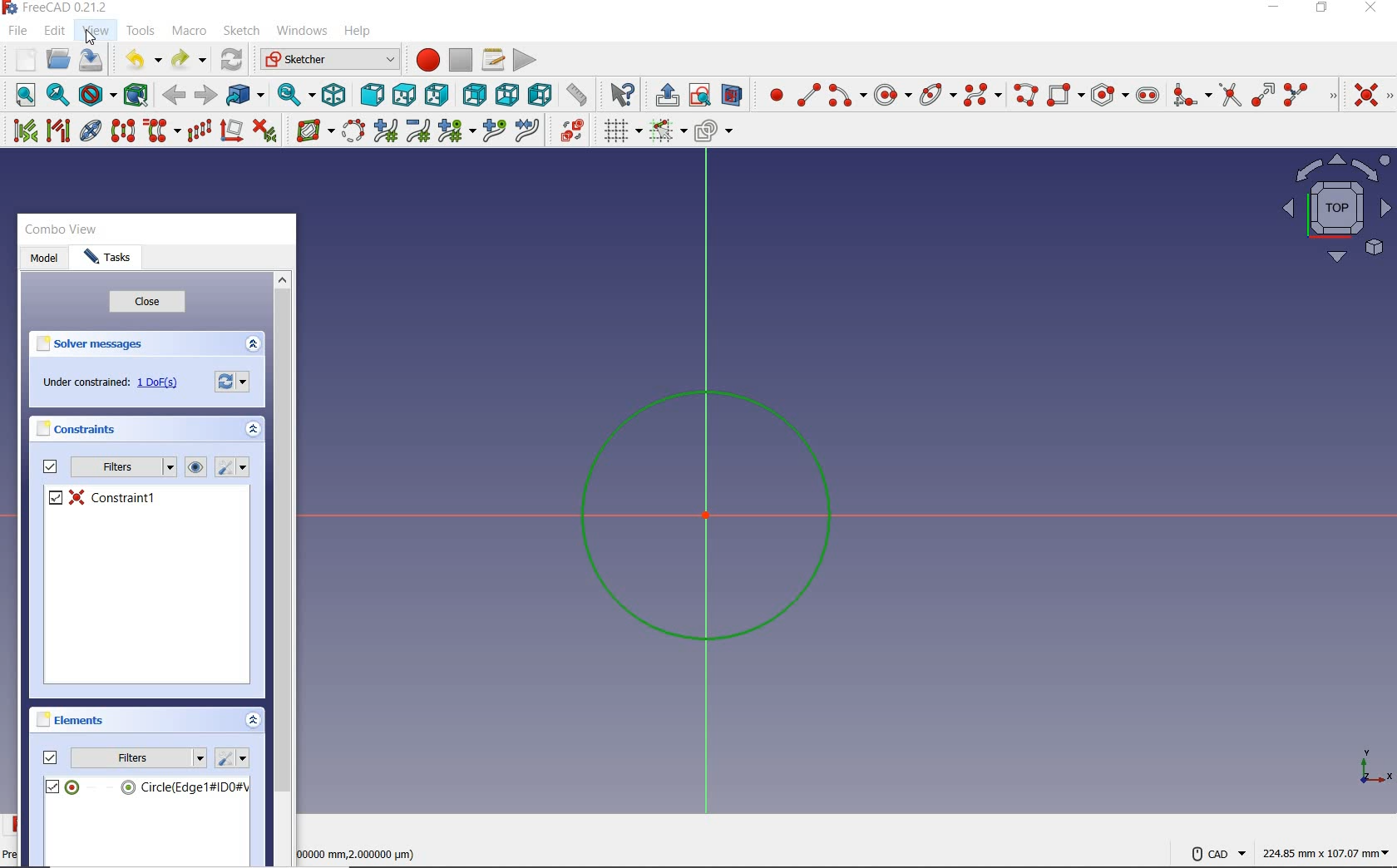 Image resolution: width=1397 pixels, height=868 pixels. I want to click on cursor, so click(93, 39).